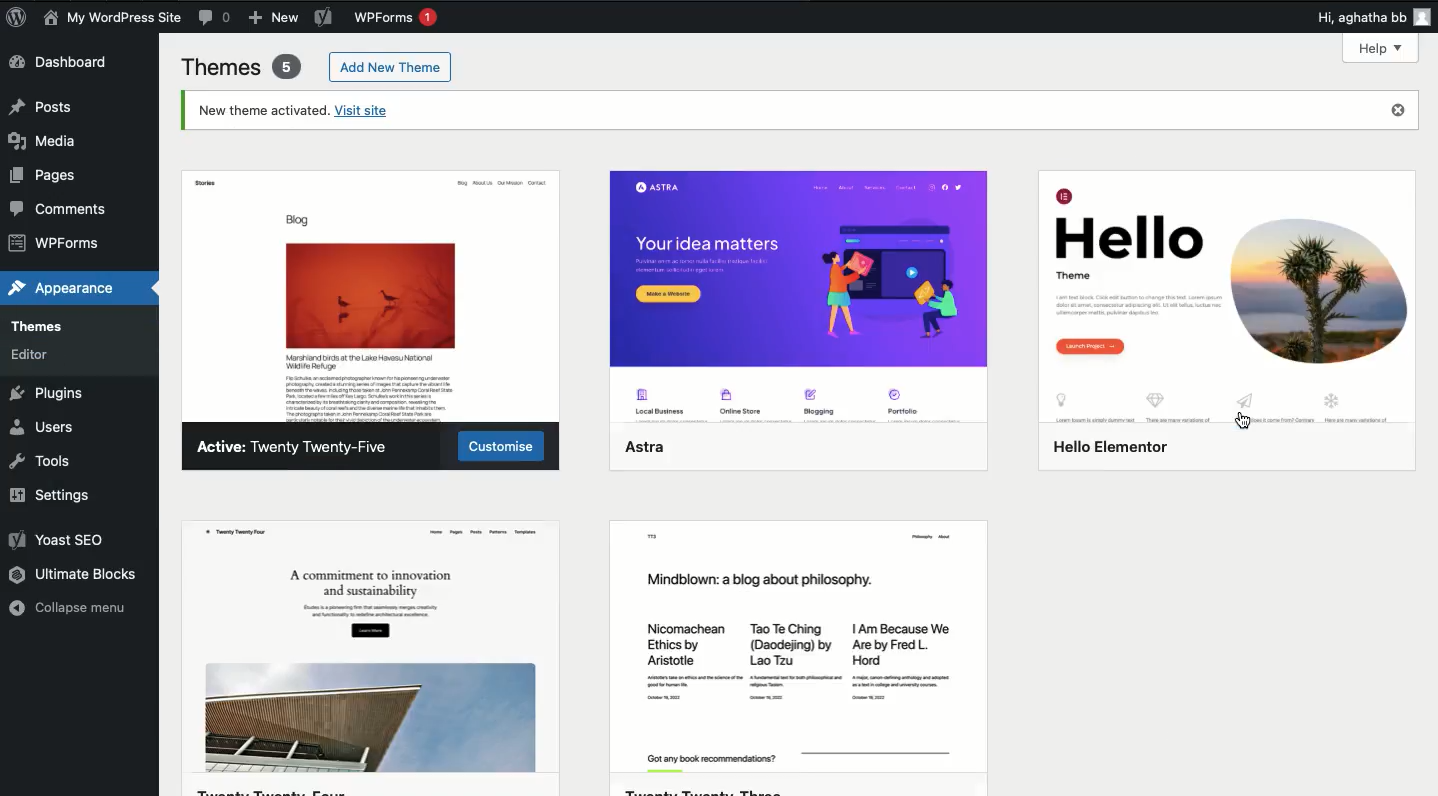 This screenshot has height=796, width=1438. What do you see at coordinates (43, 356) in the screenshot?
I see `Editor` at bounding box center [43, 356].